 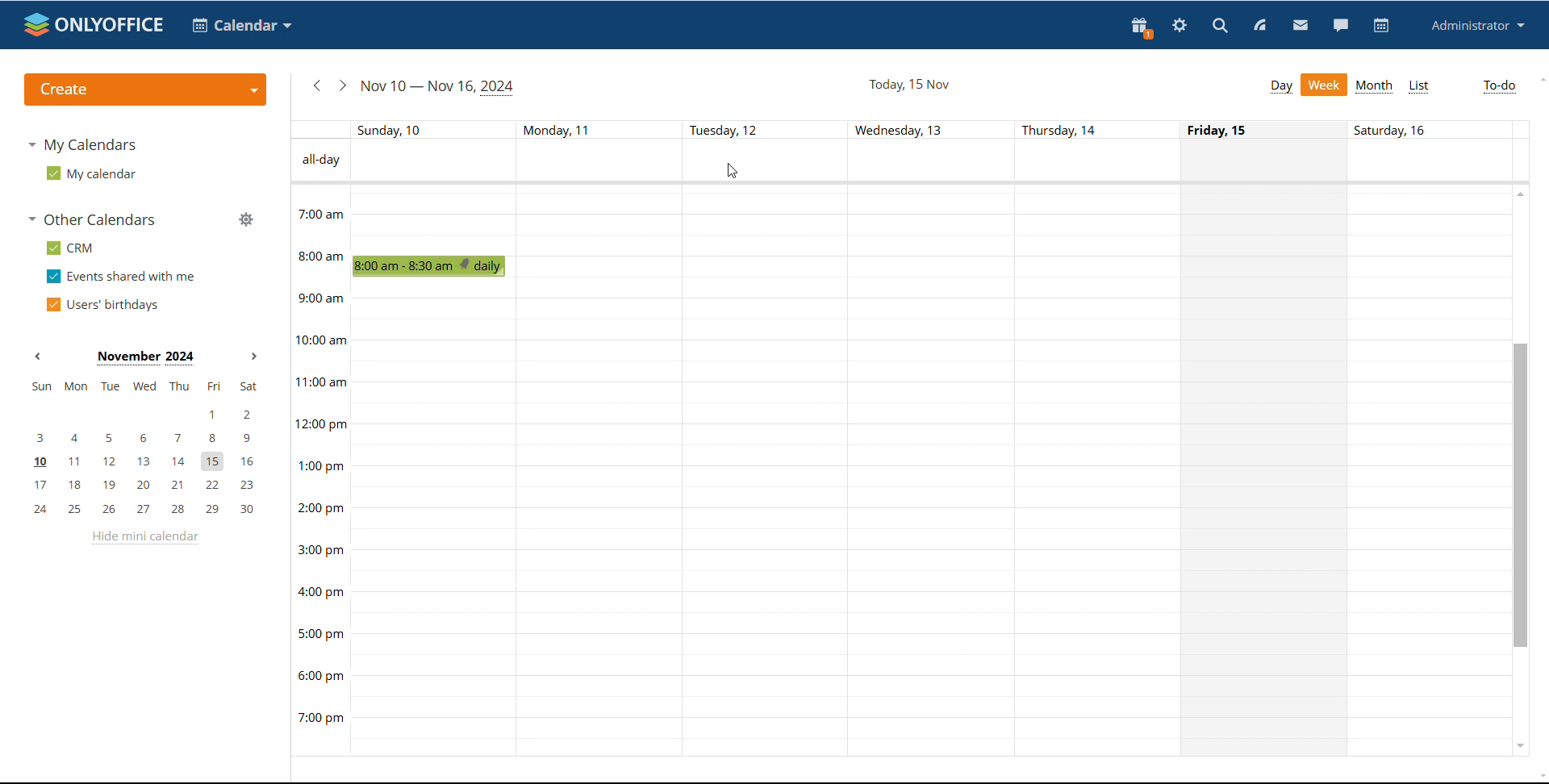 I want to click on present, so click(x=1142, y=28).